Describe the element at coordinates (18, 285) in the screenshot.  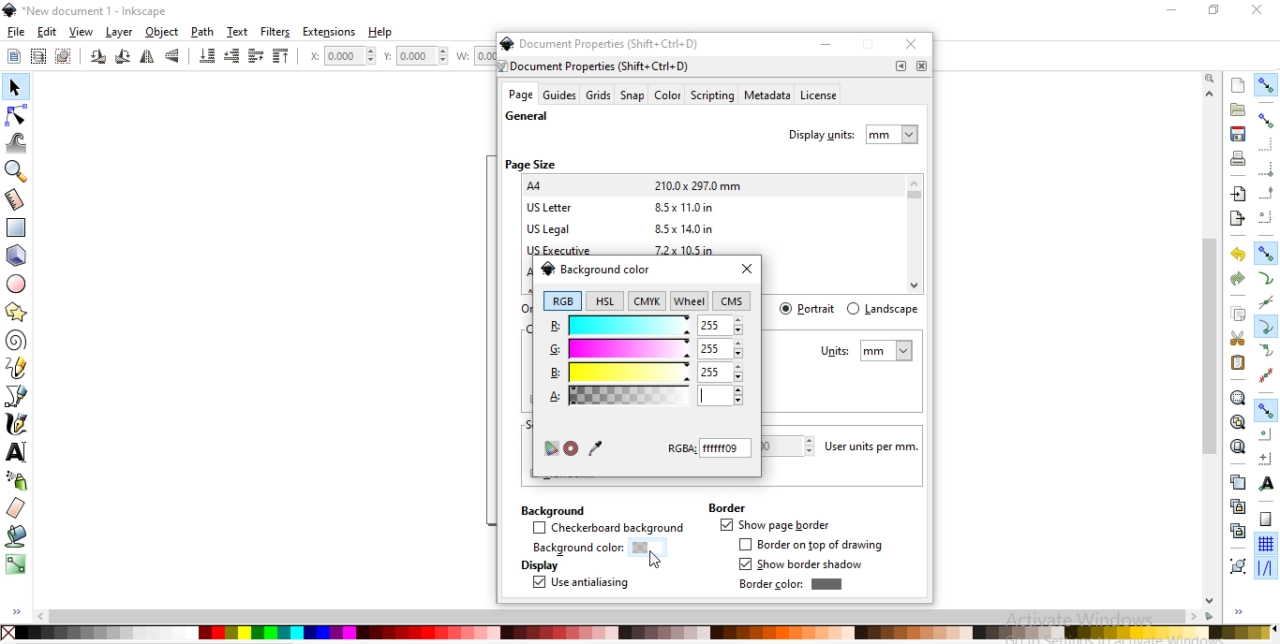
I see `create circles, arcs and ellipses` at that location.